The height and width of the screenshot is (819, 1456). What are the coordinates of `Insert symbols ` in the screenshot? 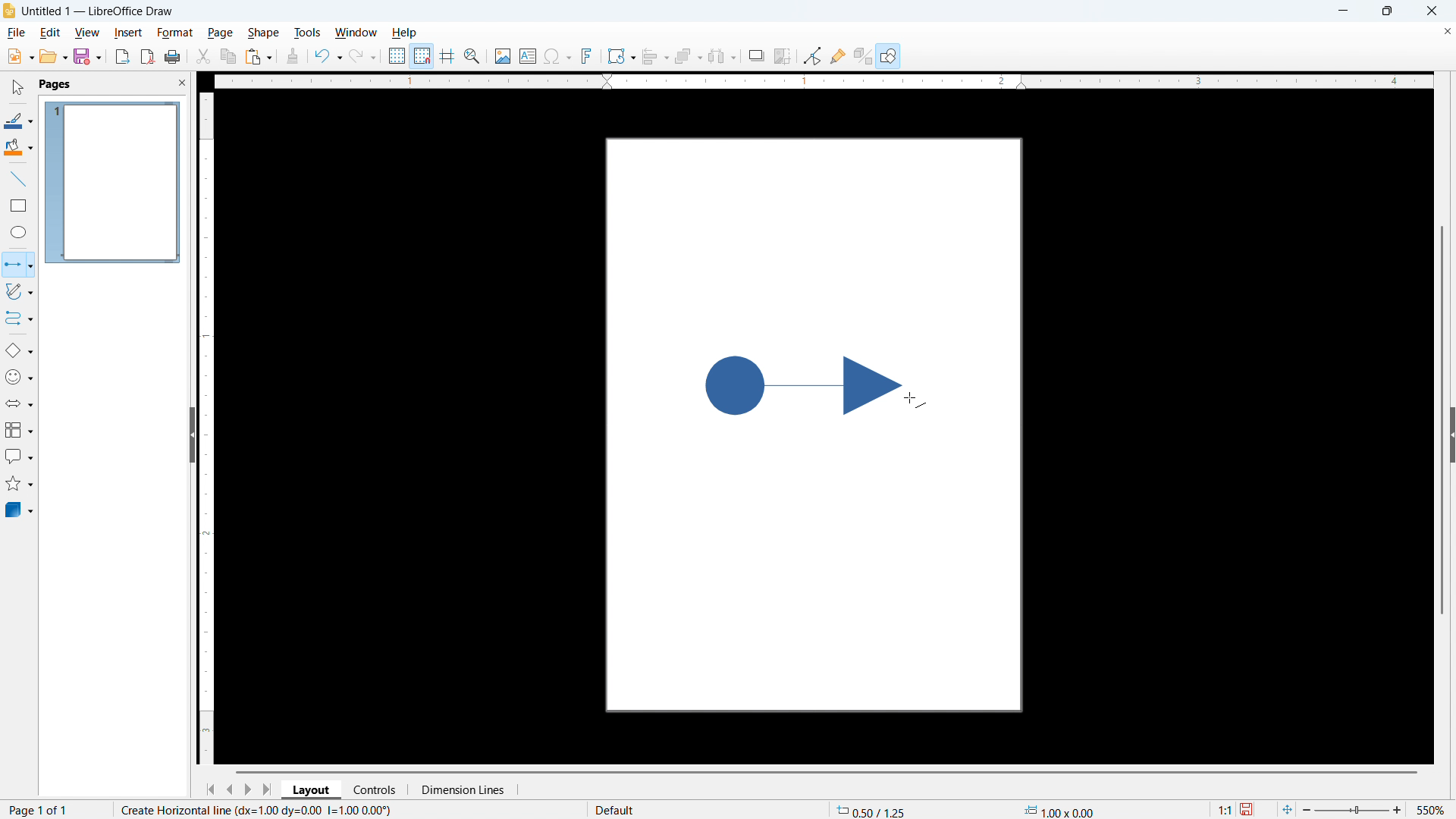 It's located at (558, 56).